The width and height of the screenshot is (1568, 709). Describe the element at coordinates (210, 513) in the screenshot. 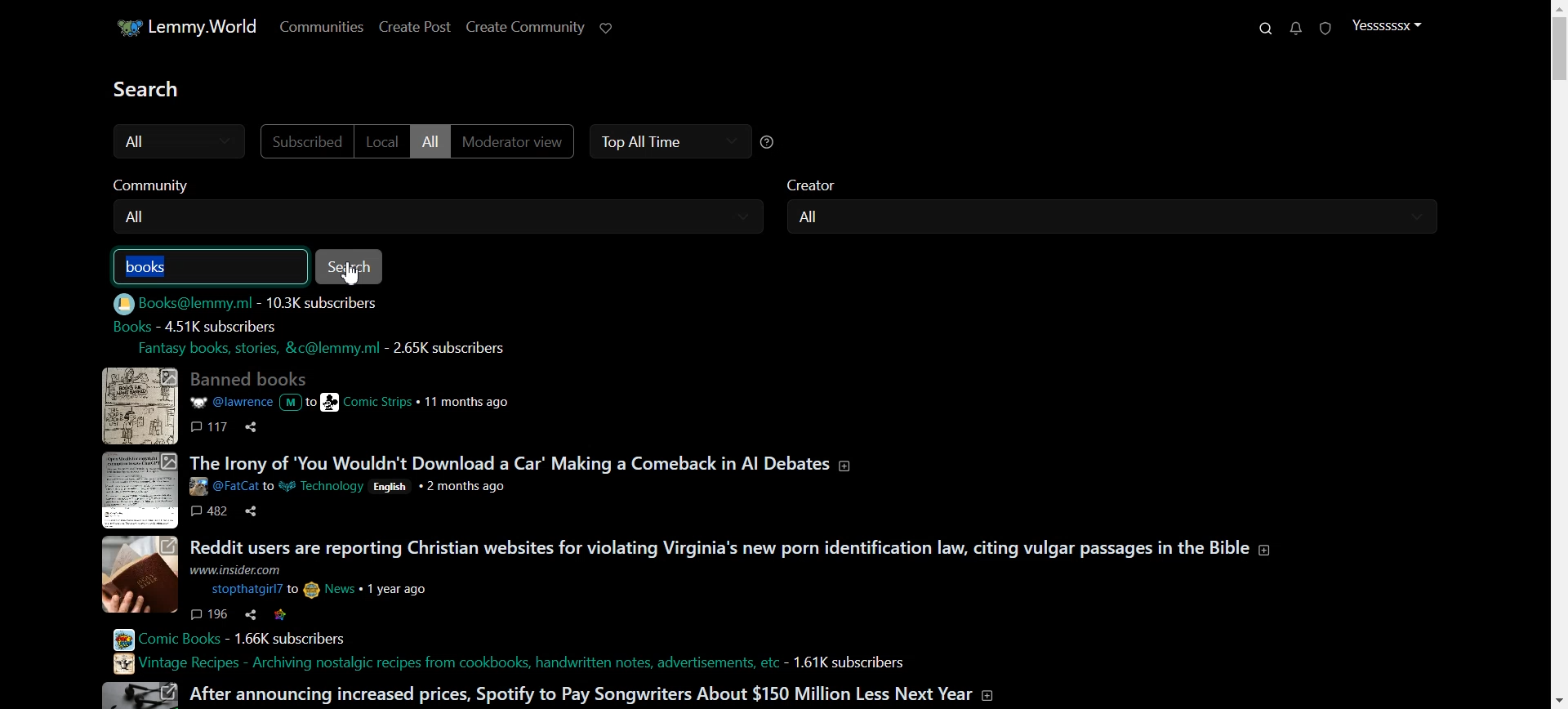

I see `comments` at that location.